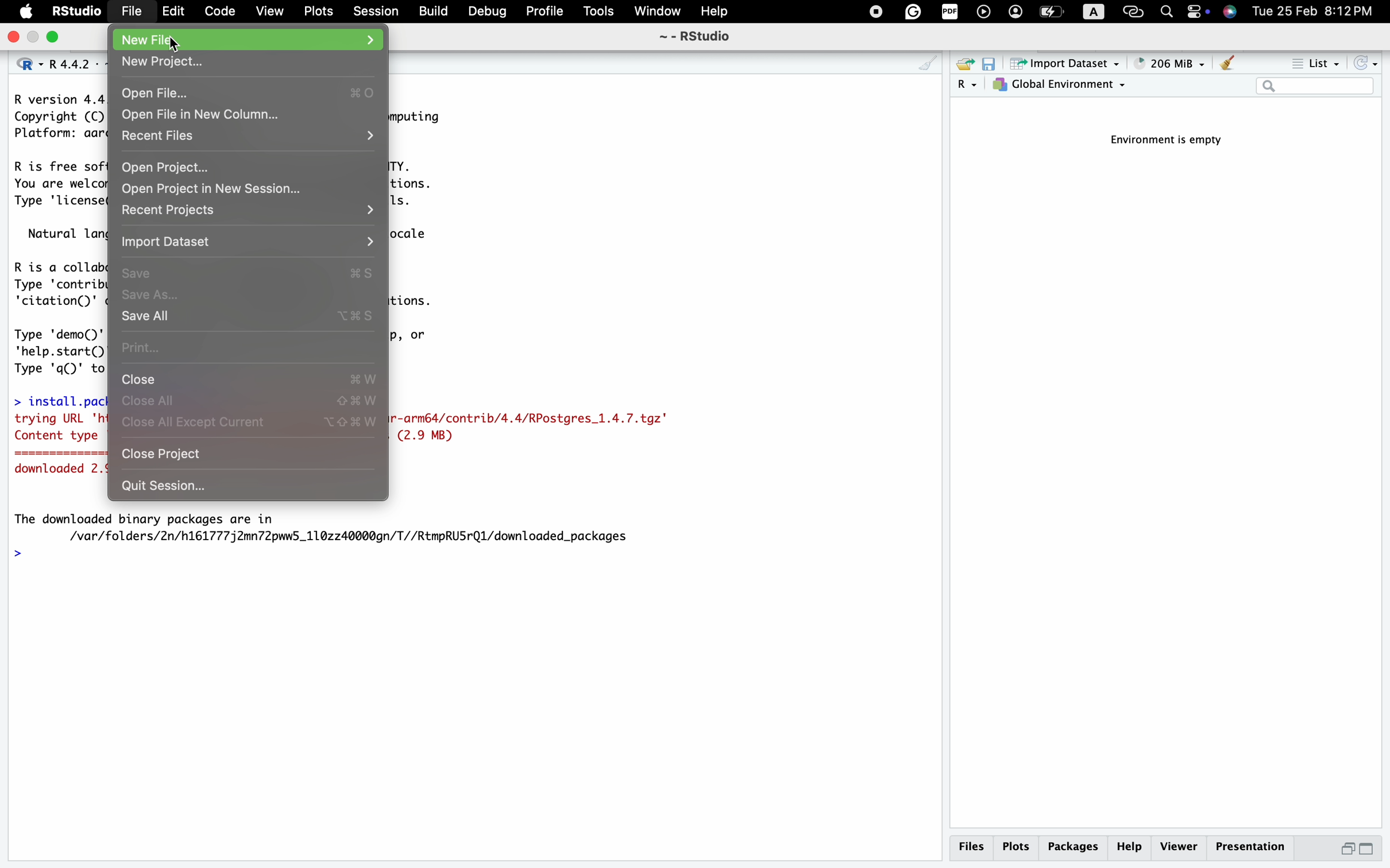  I want to click on link, so click(1134, 11).